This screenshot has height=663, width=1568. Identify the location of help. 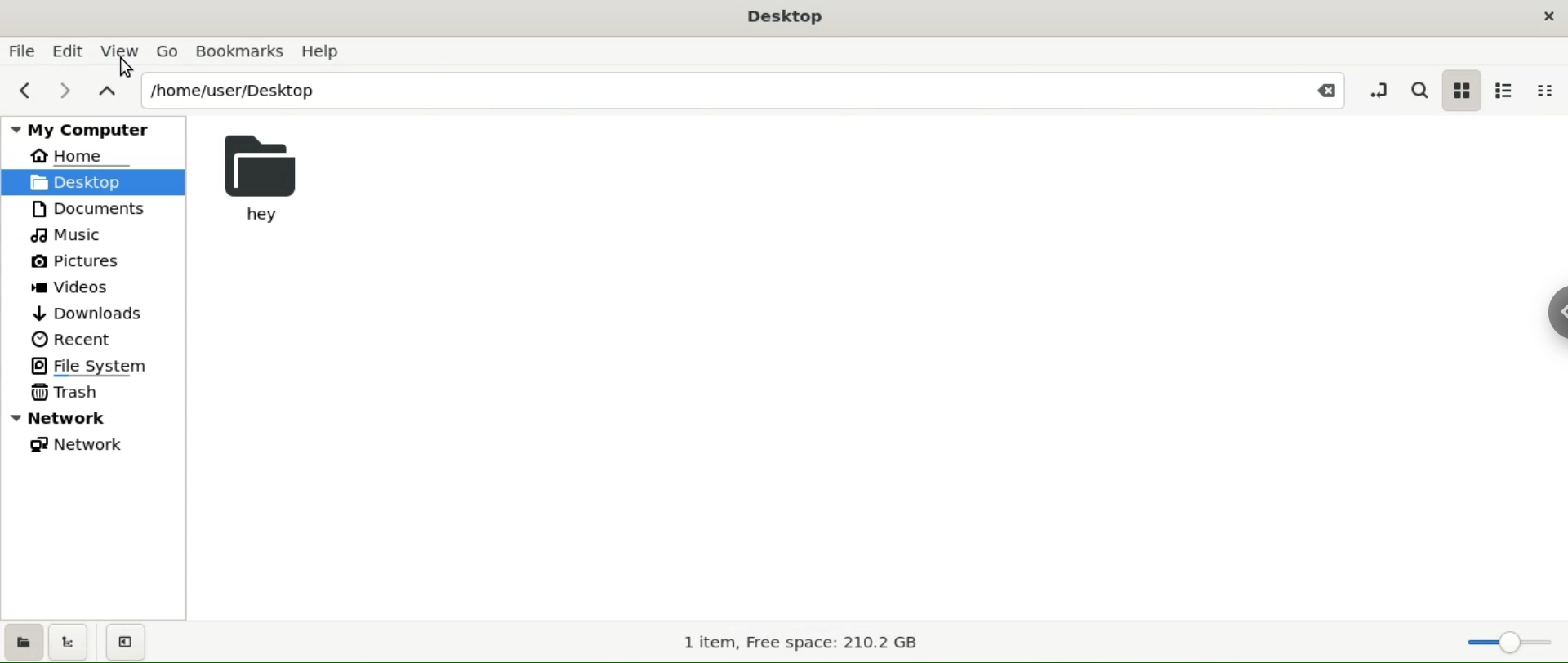
(328, 51).